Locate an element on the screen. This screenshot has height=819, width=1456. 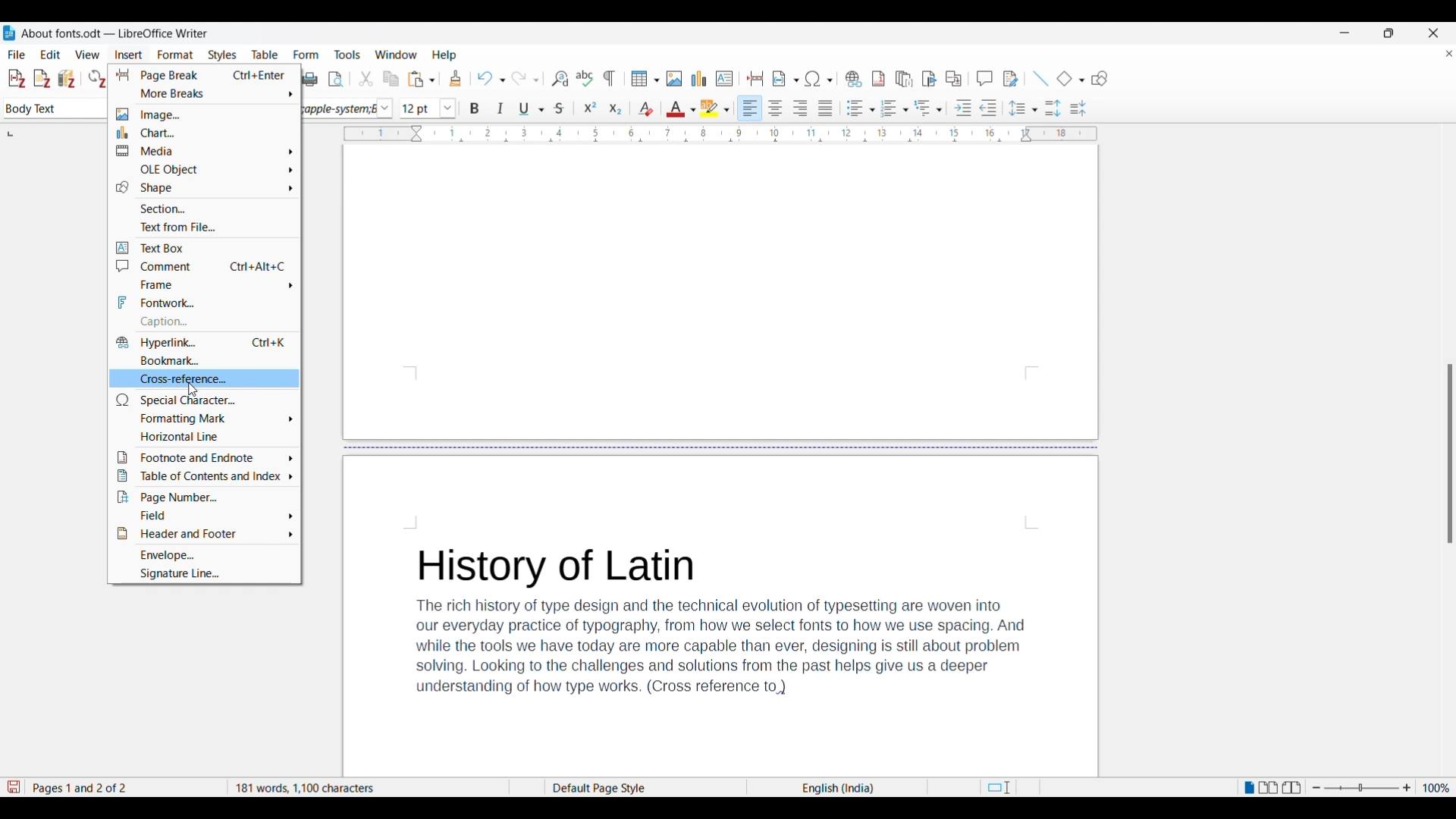
Show interface in a smaller tab is located at coordinates (1389, 33).